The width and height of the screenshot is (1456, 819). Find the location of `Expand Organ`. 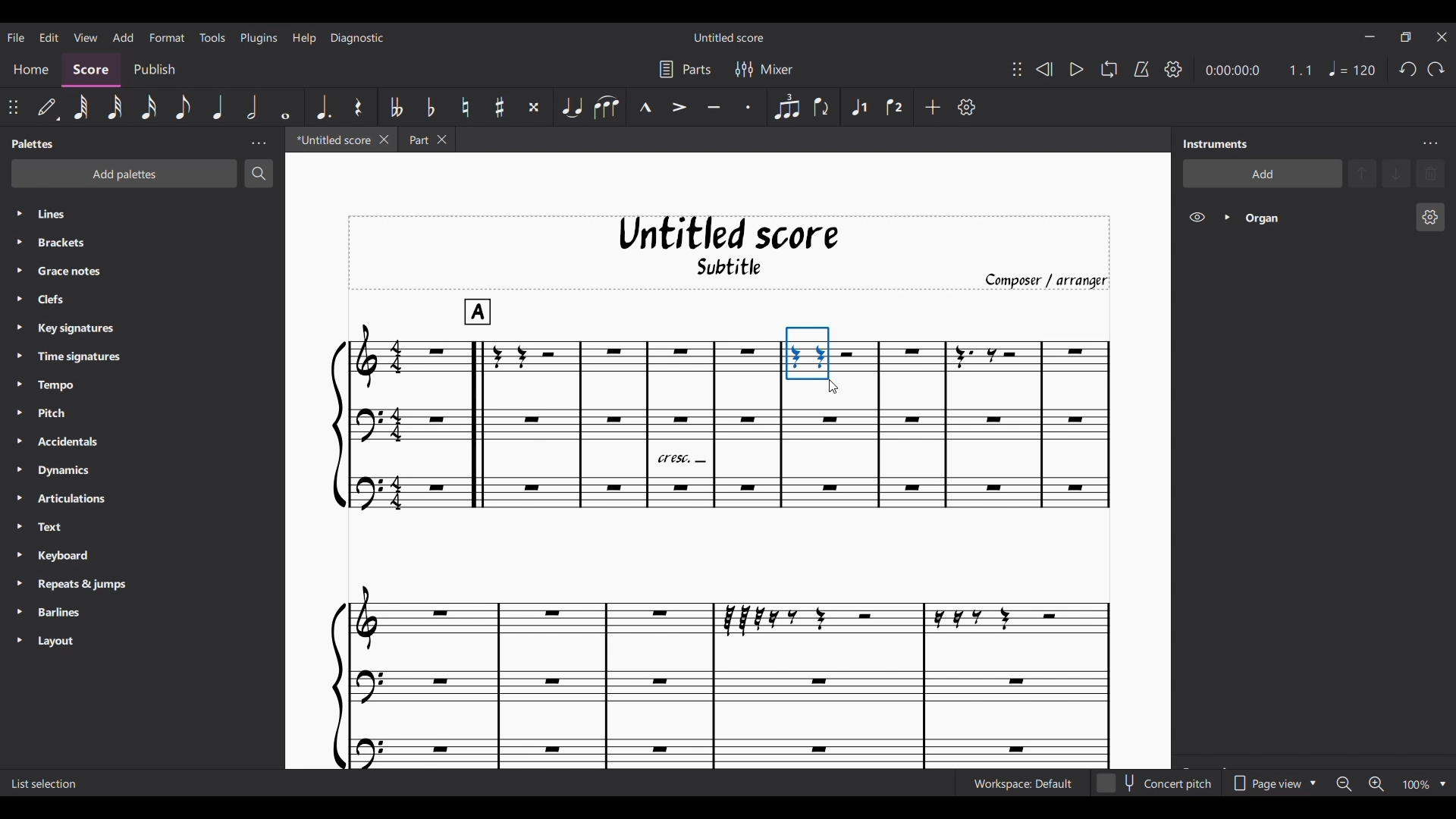

Expand Organ is located at coordinates (1225, 218).